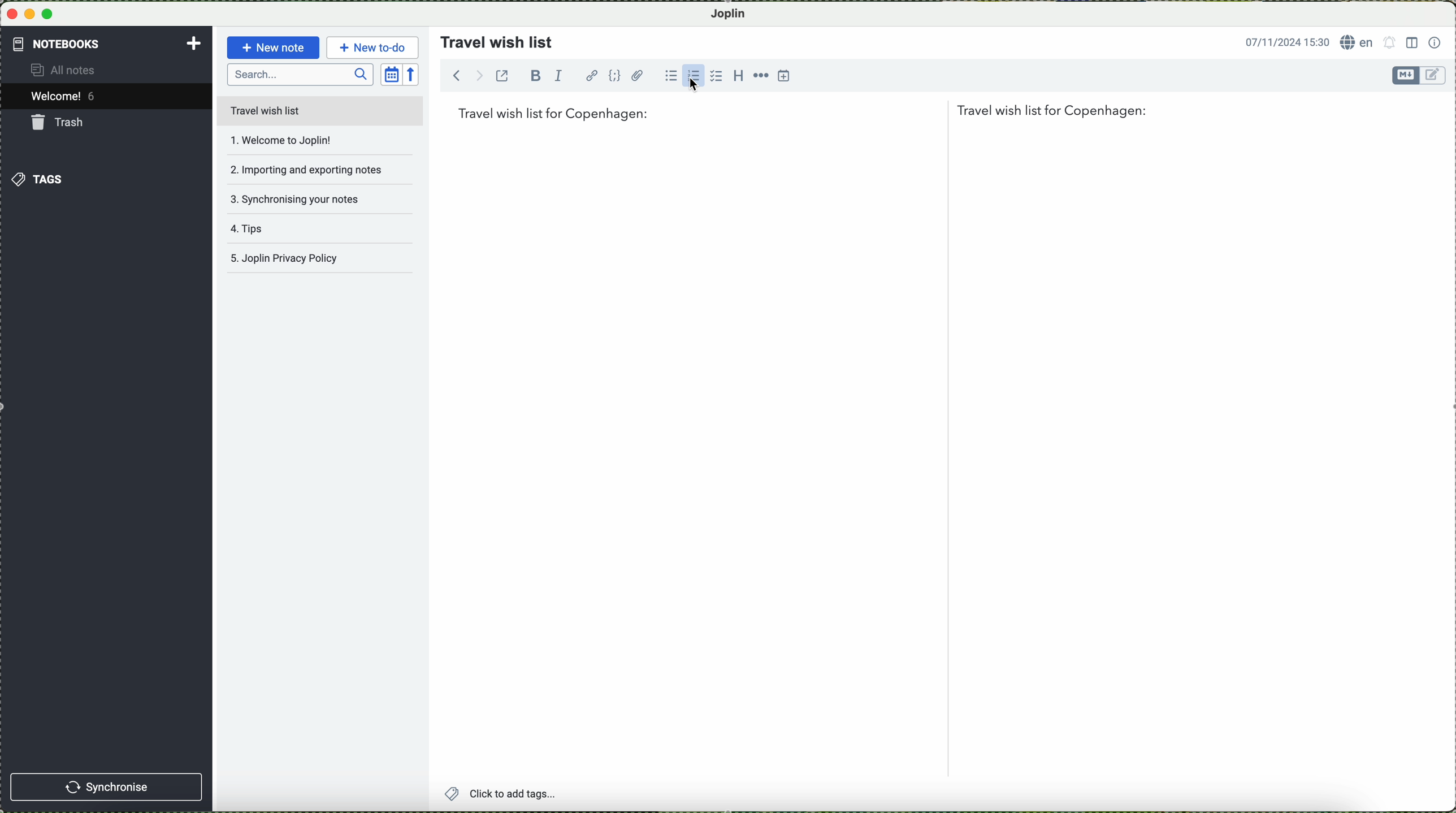 The height and width of the screenshot is (813, 1456). Describe the element at coordinates (271, 47) in the screenshot. I see `new note button` at that location.